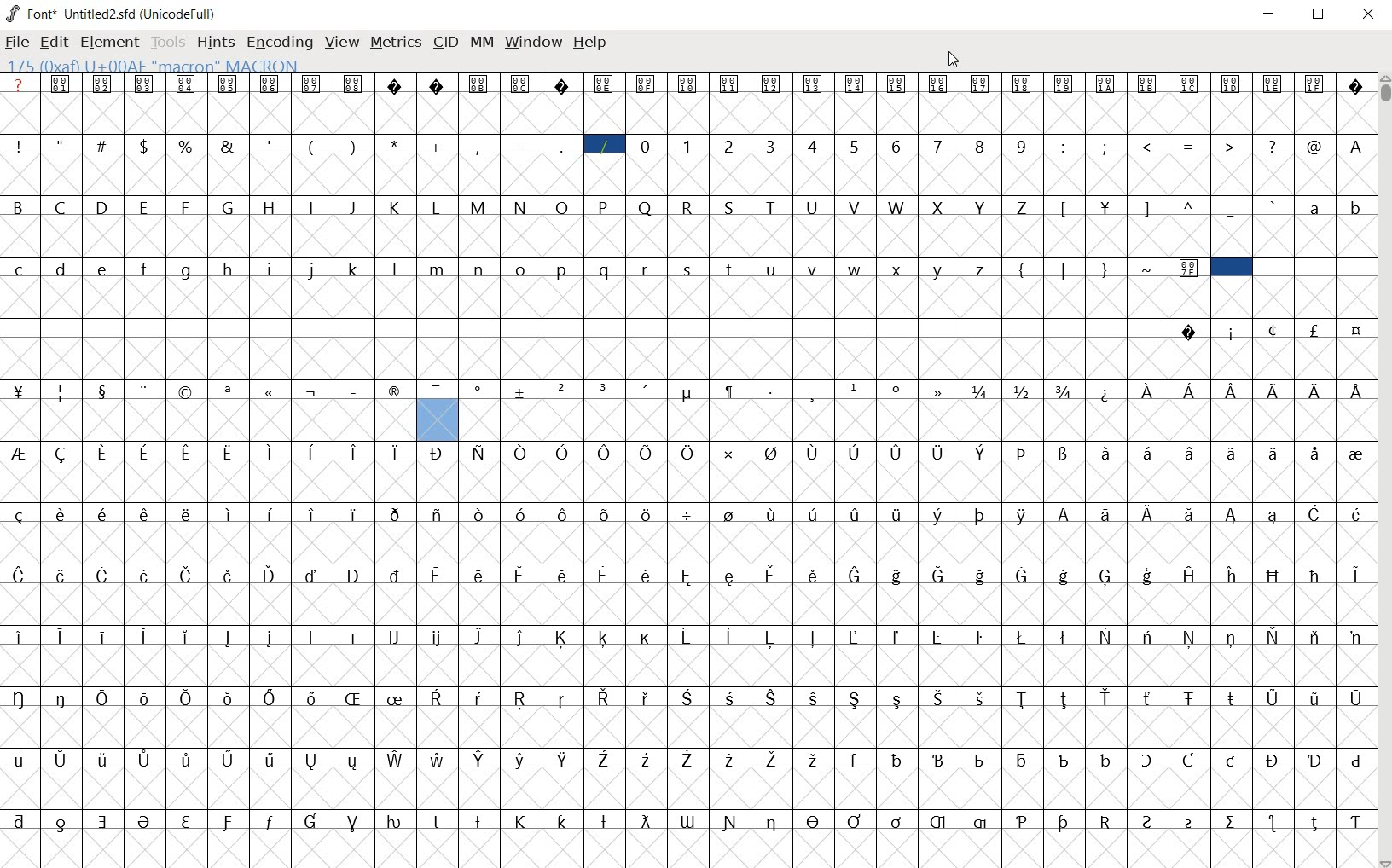 Image resolution: width=1392 pixels, height=868 pixels. What do you see at coordinates (397, 697) in the screenshot?
I see `Symbol` at bounding box center [397, 697].